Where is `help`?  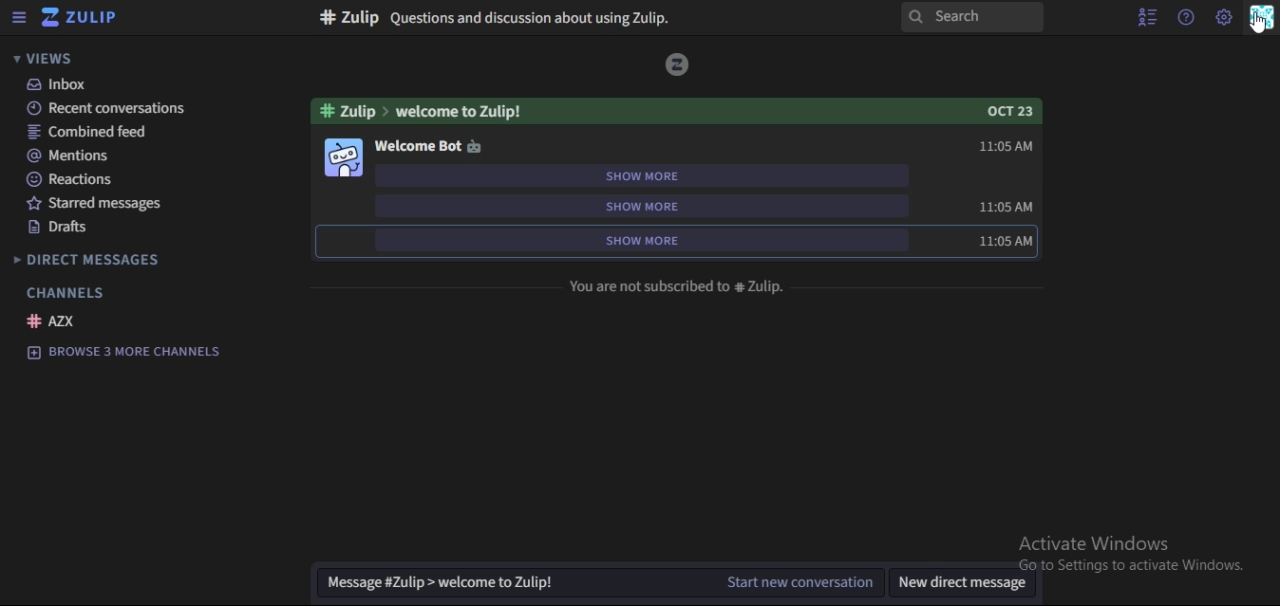 help is located at coordinates (1184, 18).